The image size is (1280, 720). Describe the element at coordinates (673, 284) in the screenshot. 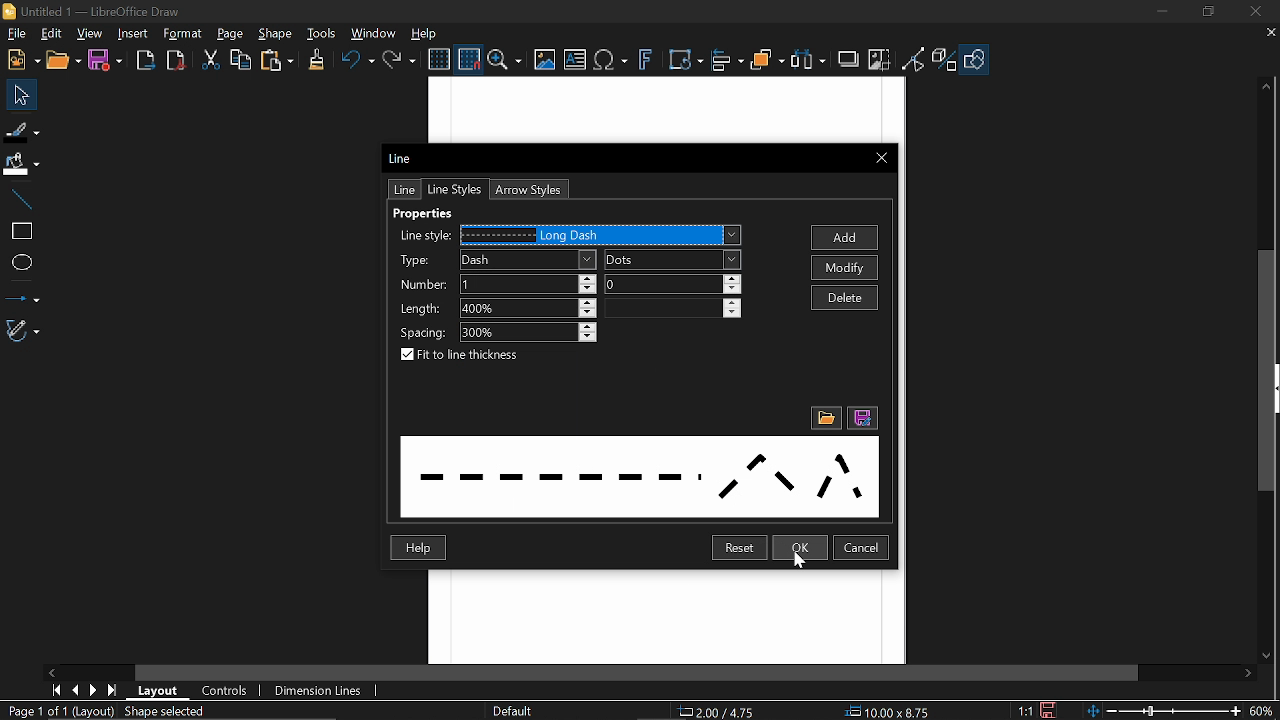

I see `Number` at that location.